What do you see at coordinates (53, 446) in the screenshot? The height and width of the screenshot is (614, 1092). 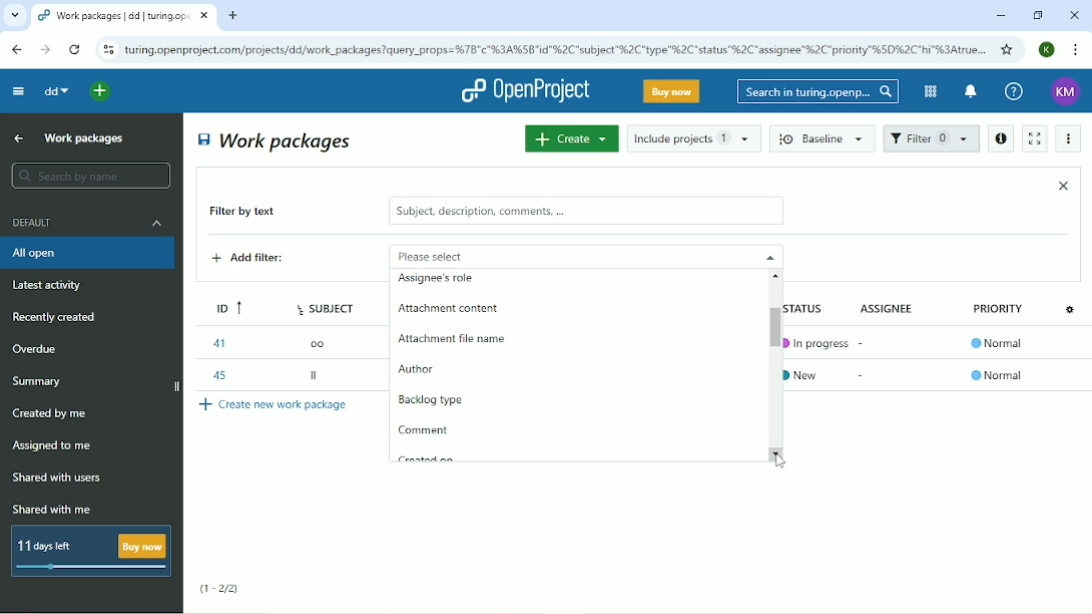 I see `Assigned to me` at bounding box center [53, 446].